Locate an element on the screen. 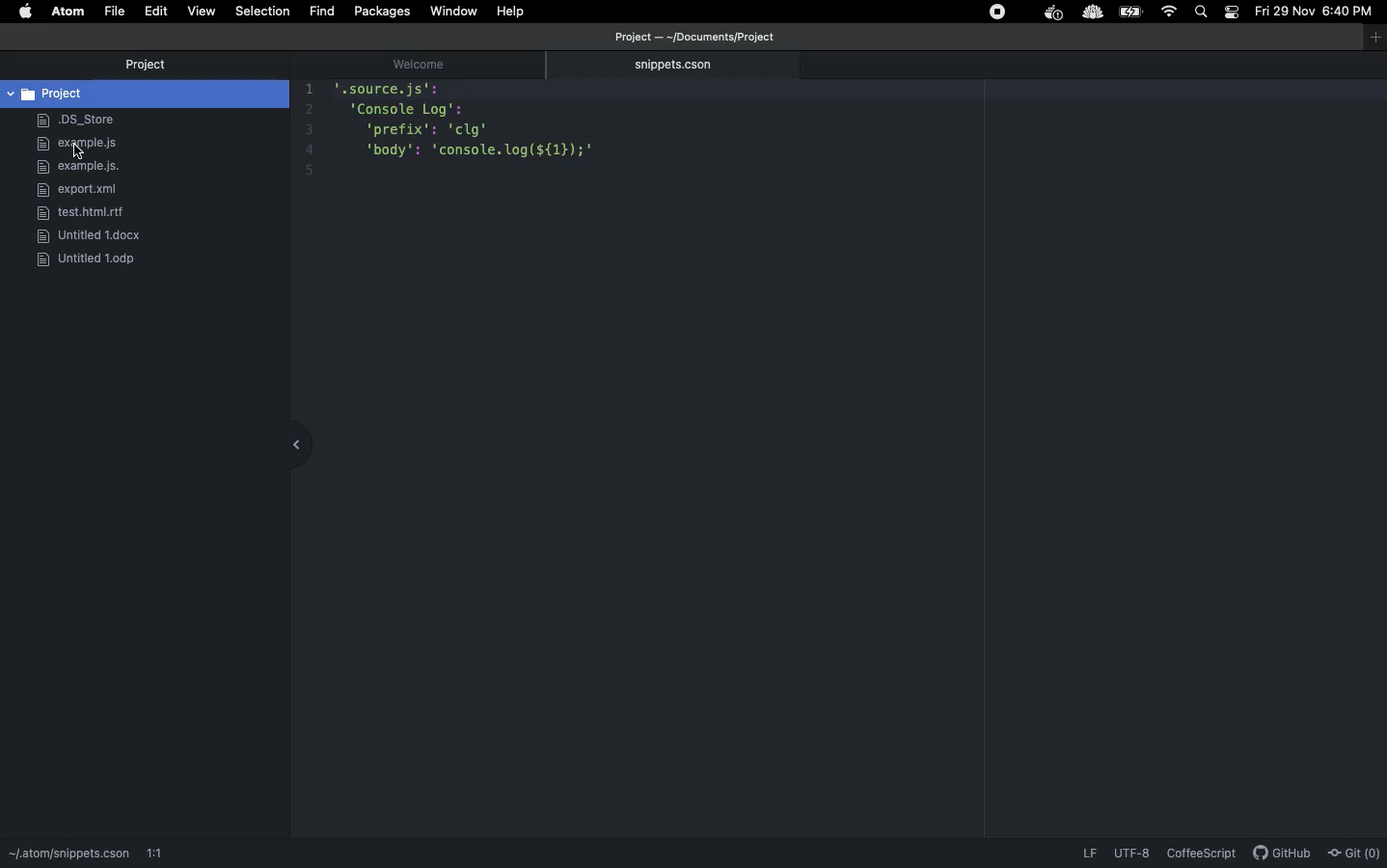  Time is located at coordinates (1352, 14).